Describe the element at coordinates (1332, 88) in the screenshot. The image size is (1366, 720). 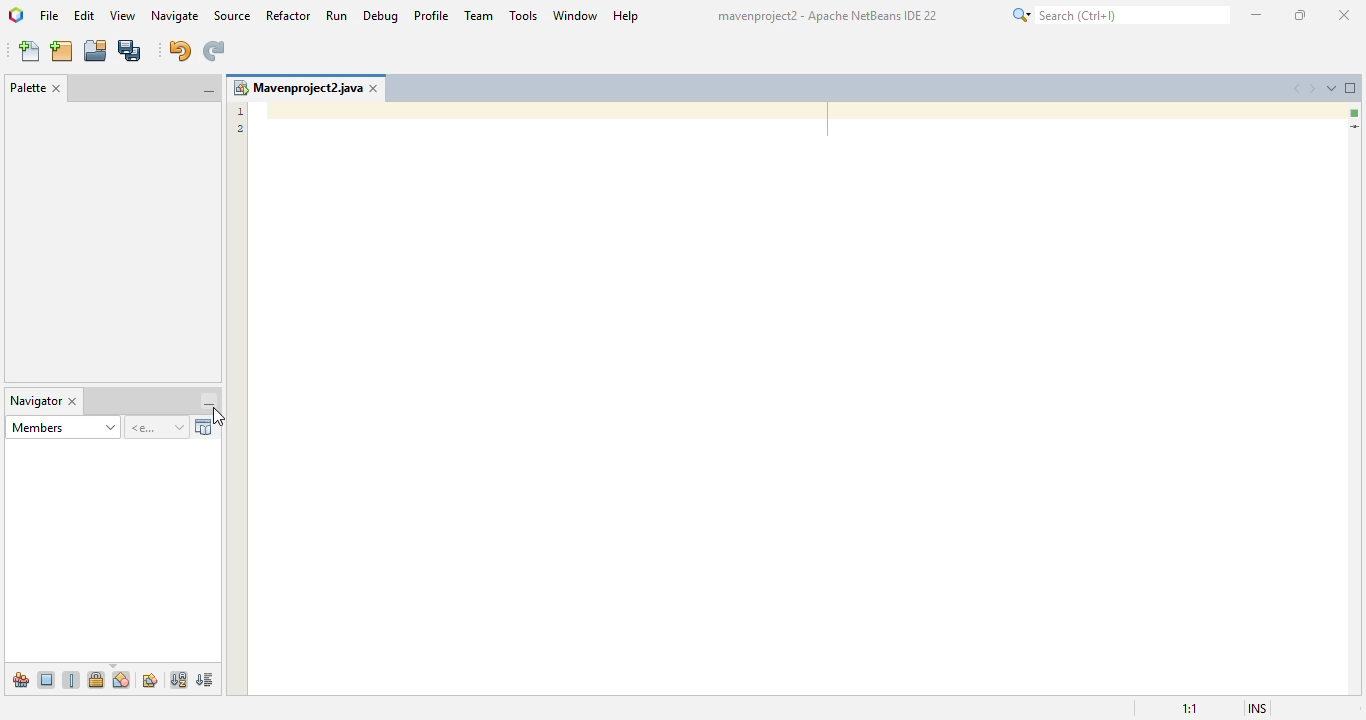
I see `show opened documents list` at that location.